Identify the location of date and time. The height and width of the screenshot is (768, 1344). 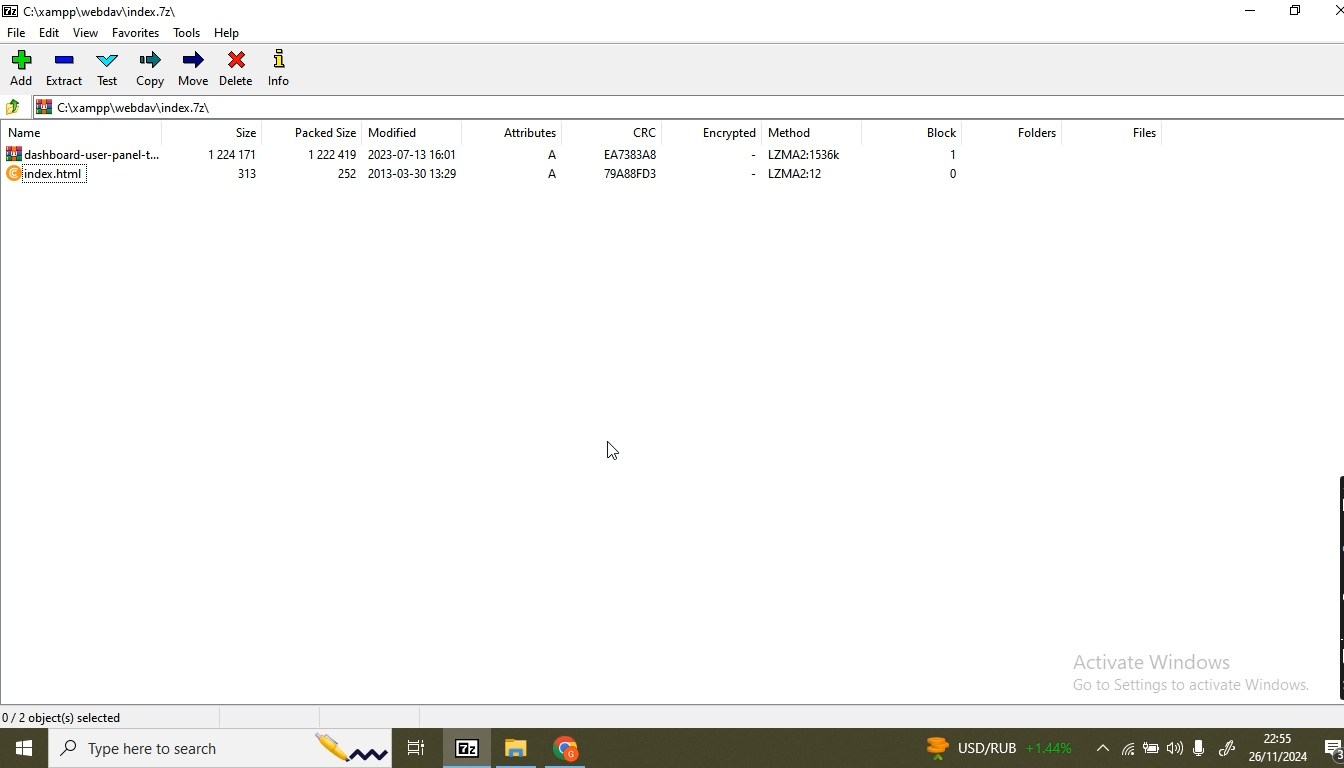
(1277, 748).